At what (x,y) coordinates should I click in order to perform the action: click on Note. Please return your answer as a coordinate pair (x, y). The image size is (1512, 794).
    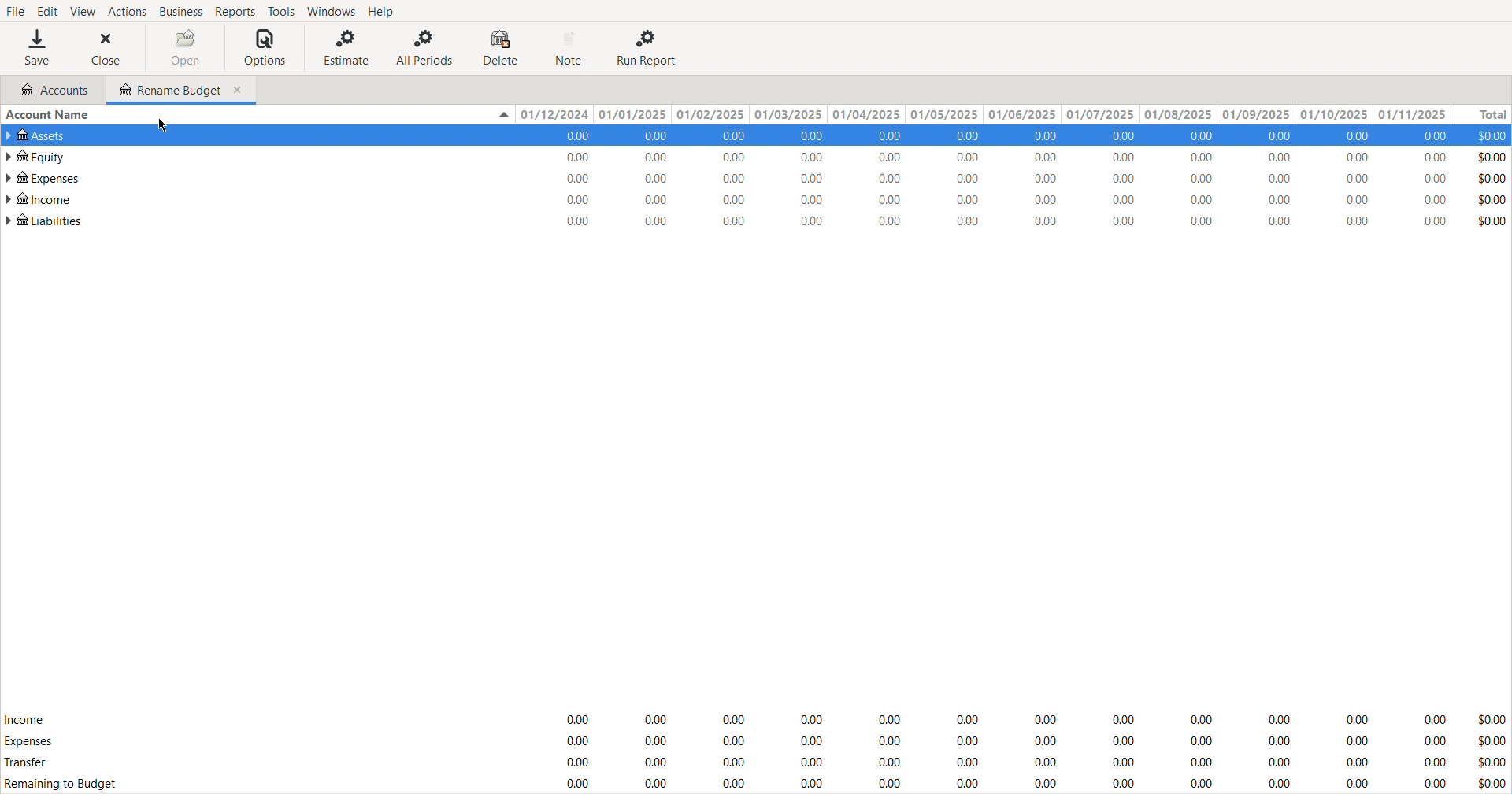
    Looking at the image, I should click on (571, 48).